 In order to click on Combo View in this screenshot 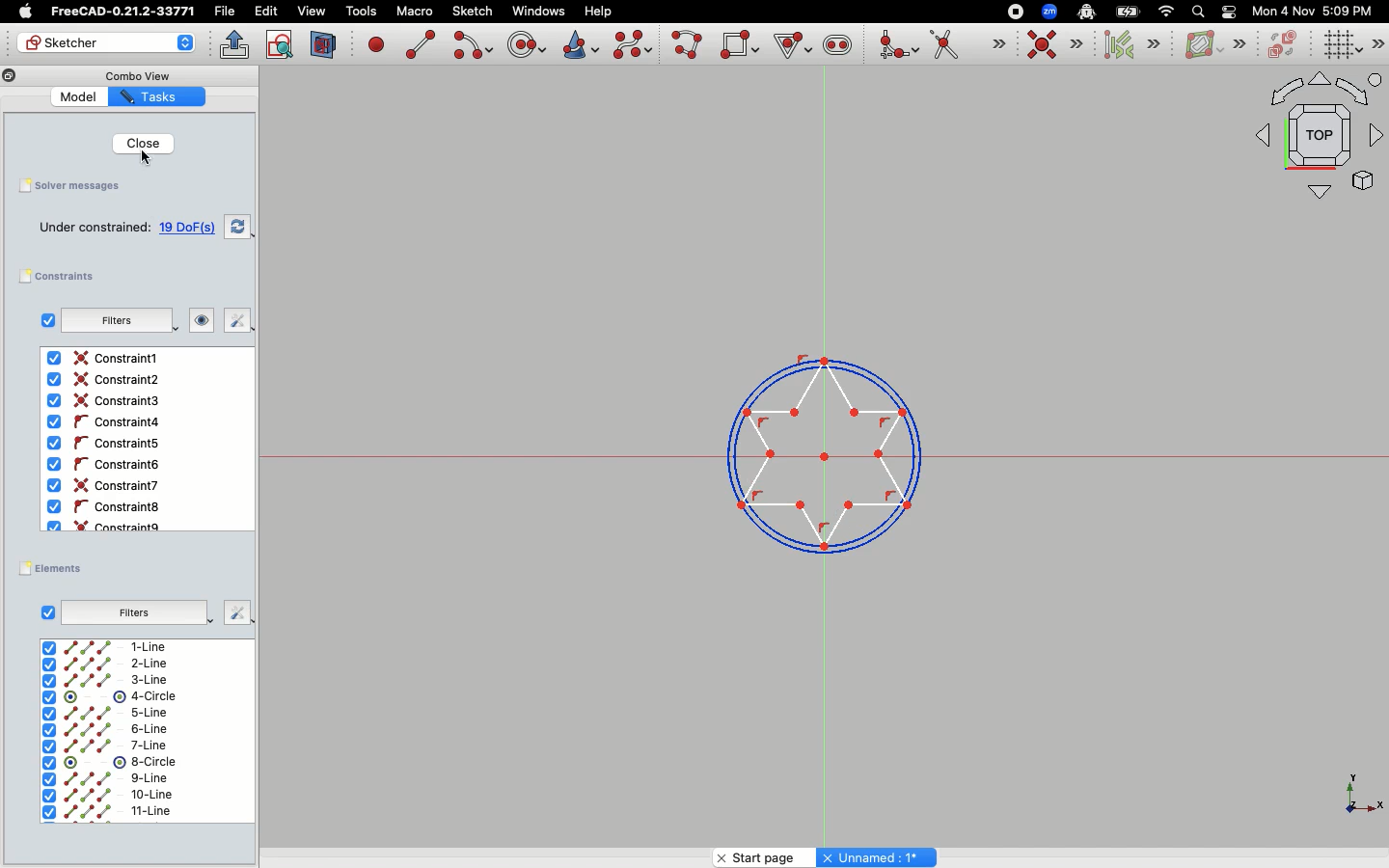, I will do `click(134, 75)`.